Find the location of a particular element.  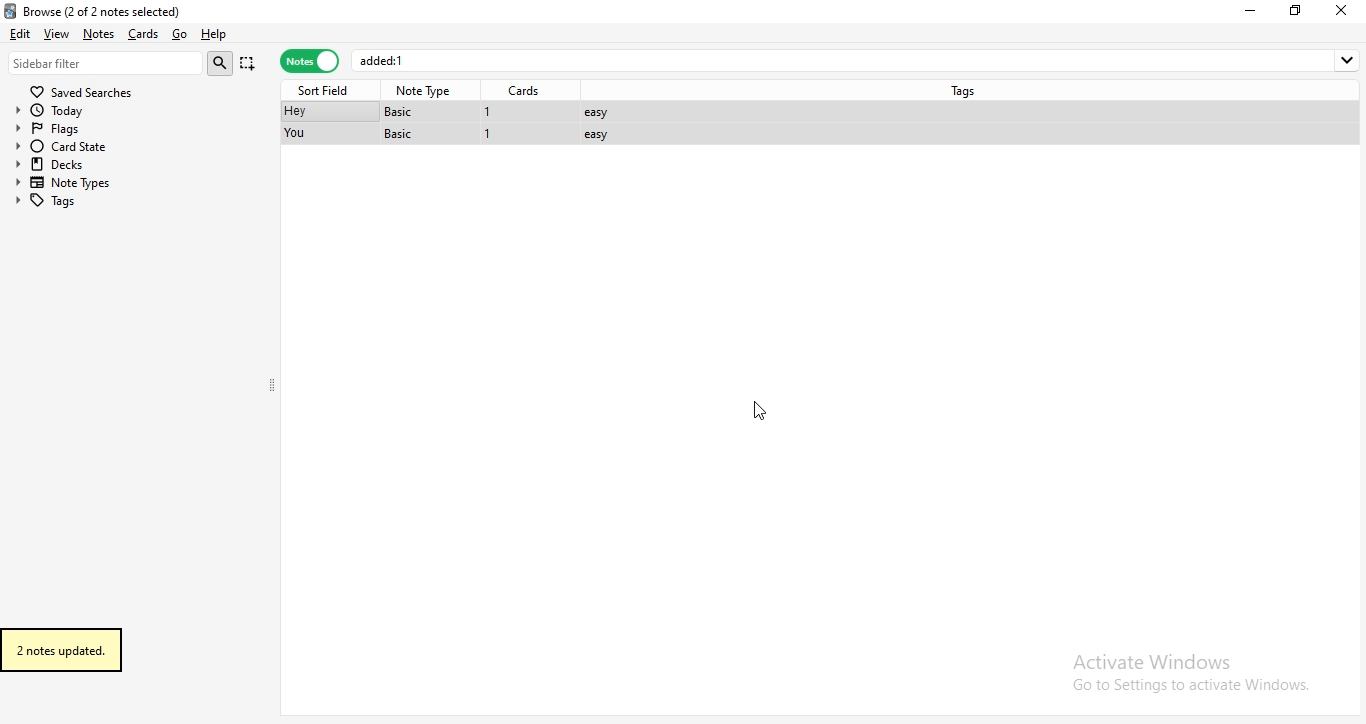

restore is located at coordinates (1296, 10).